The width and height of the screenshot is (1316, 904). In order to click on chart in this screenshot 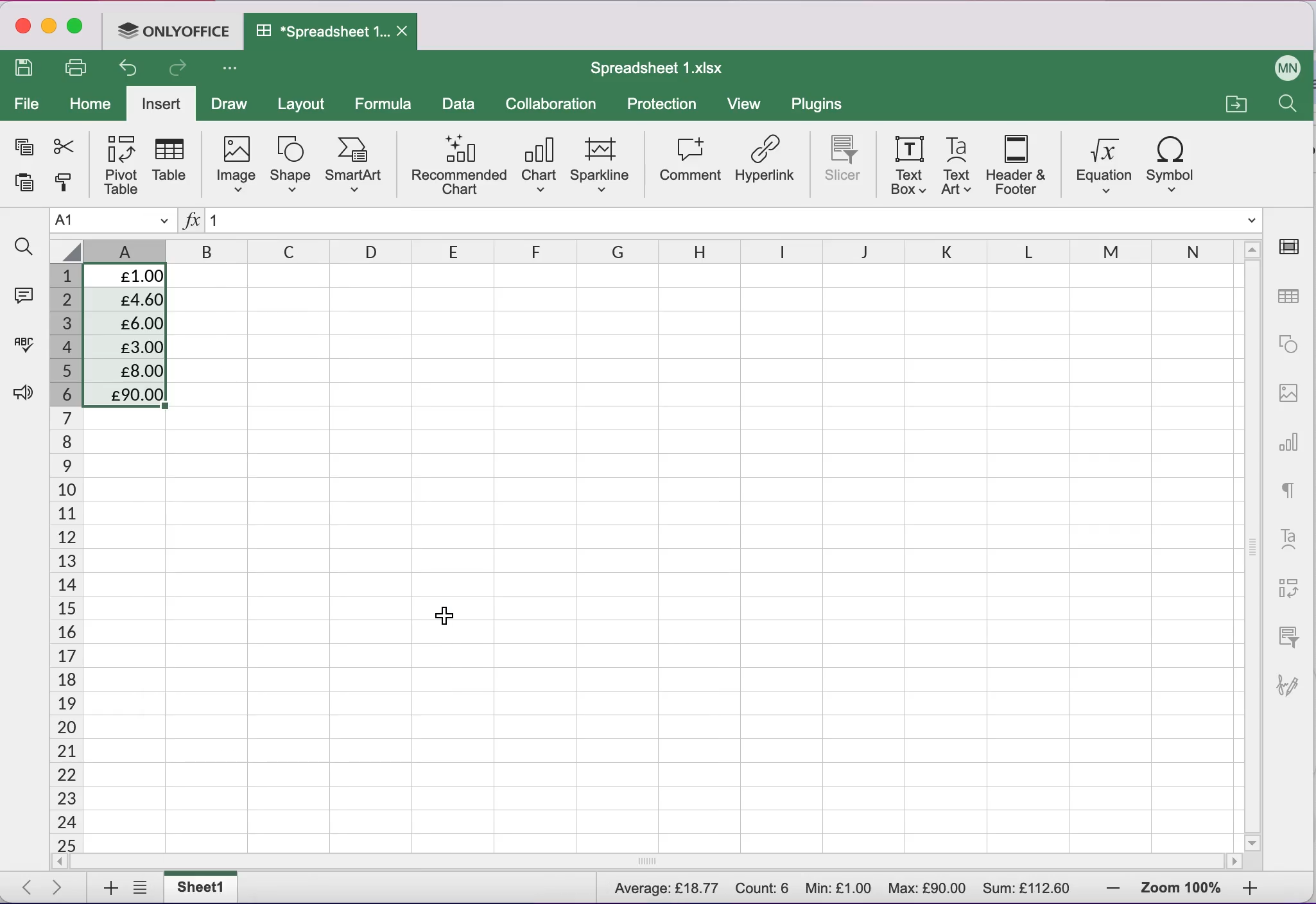, I will do `click(1290, 447)`.